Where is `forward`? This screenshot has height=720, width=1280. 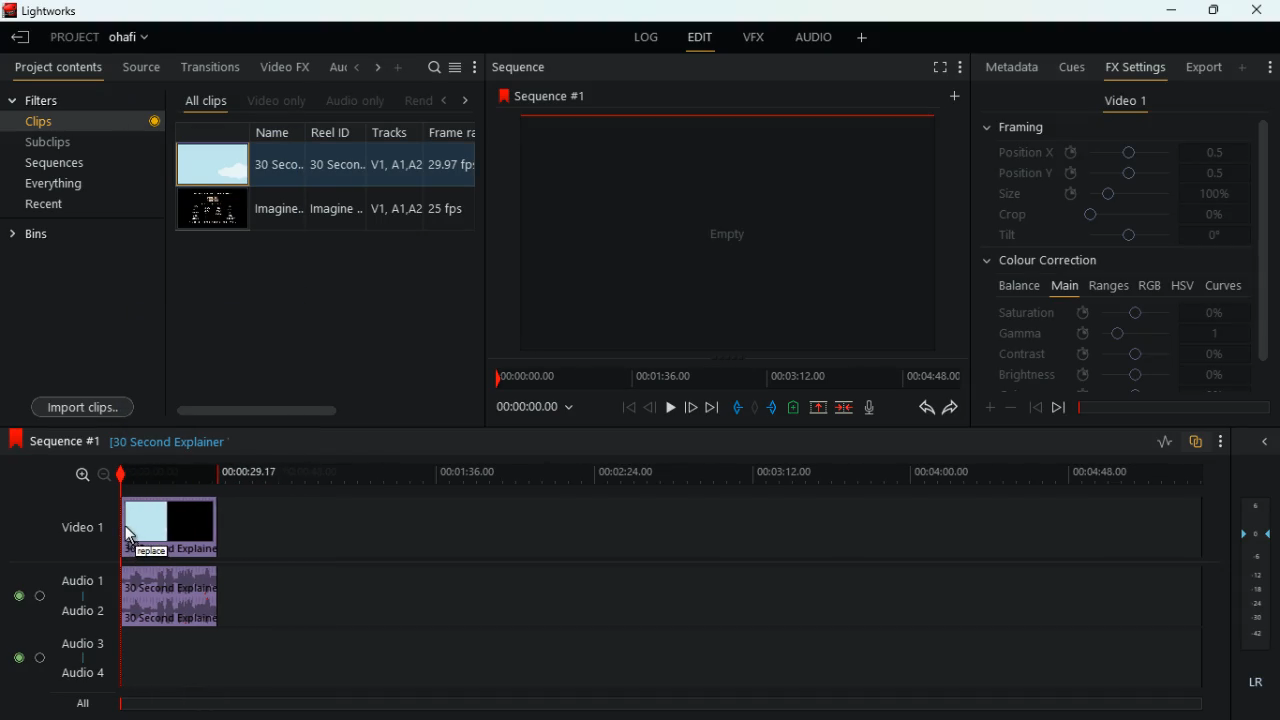
forward is located at coordinates (950, 407).